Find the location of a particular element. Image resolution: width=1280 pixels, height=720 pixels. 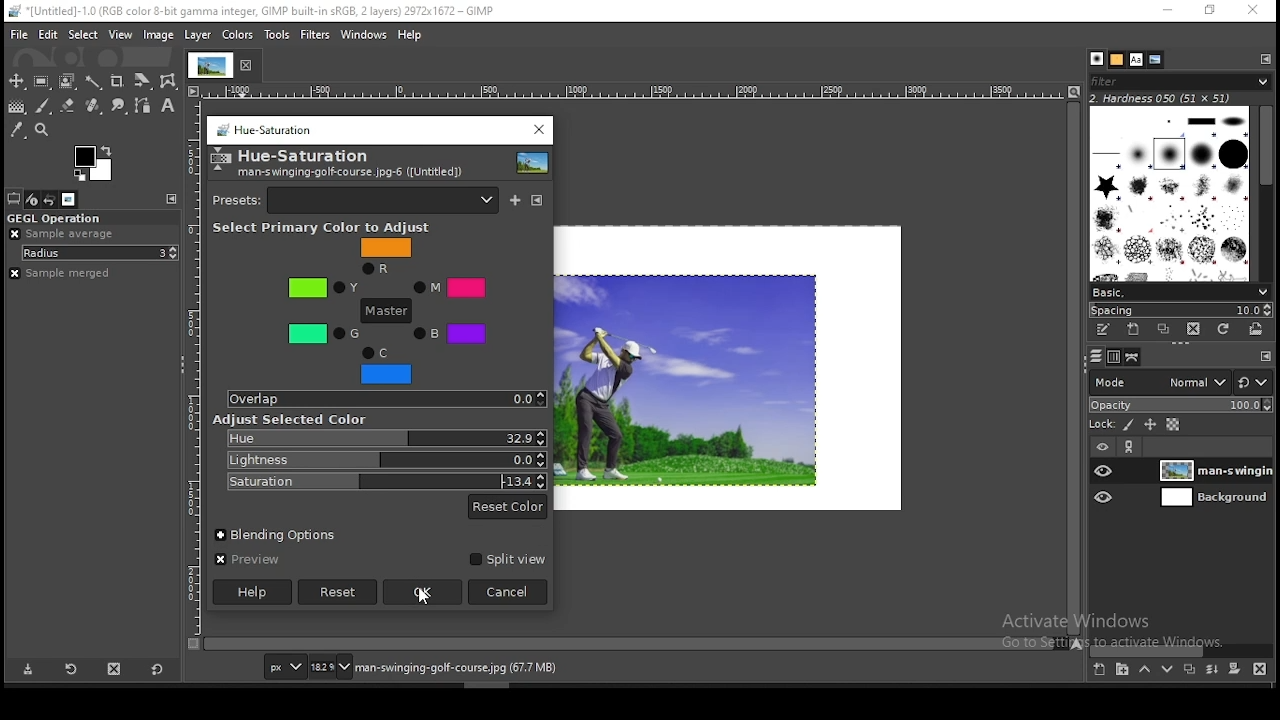

GEGL operation is located at coordinates (82, 216).